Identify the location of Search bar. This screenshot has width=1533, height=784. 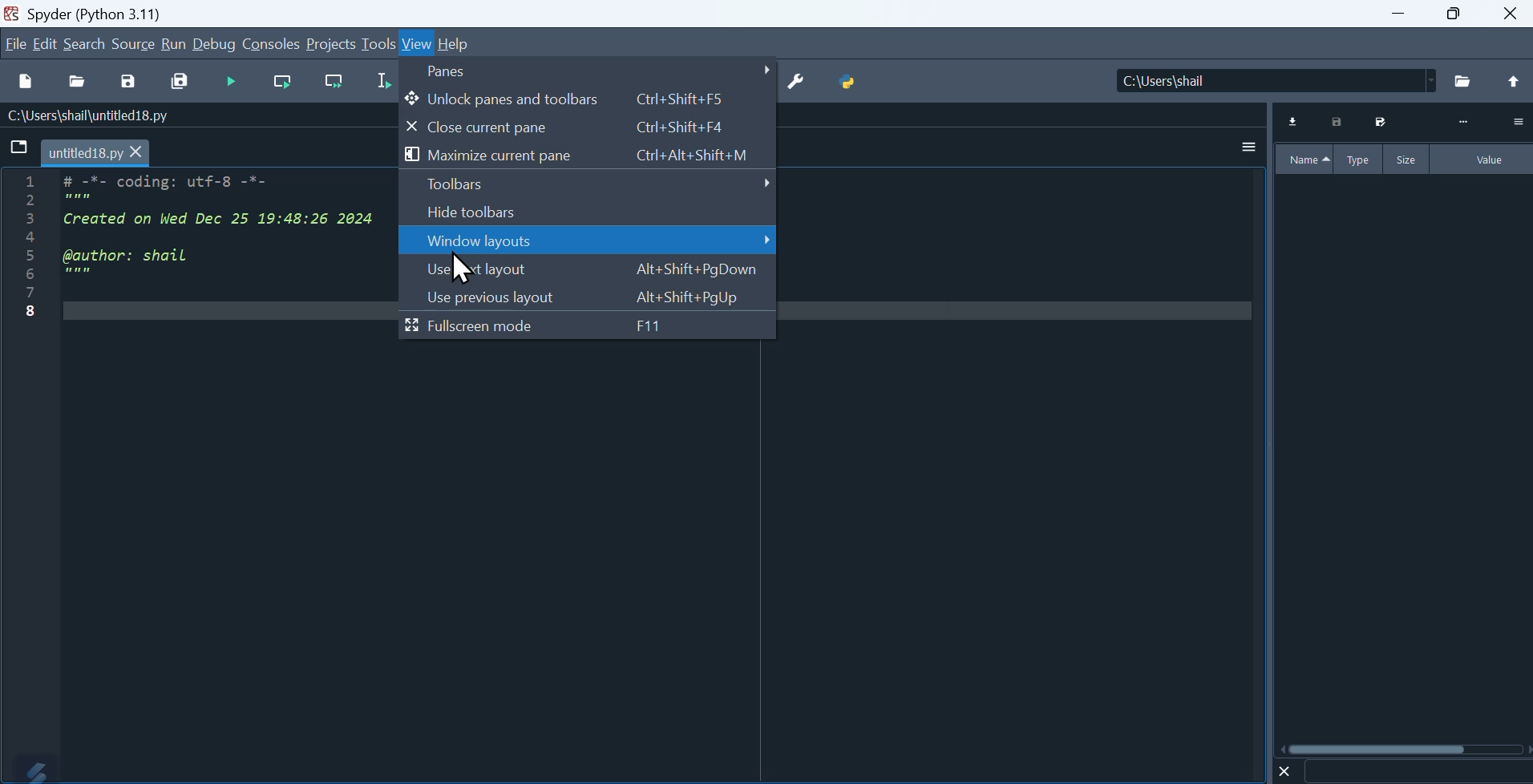
(1417, 772).